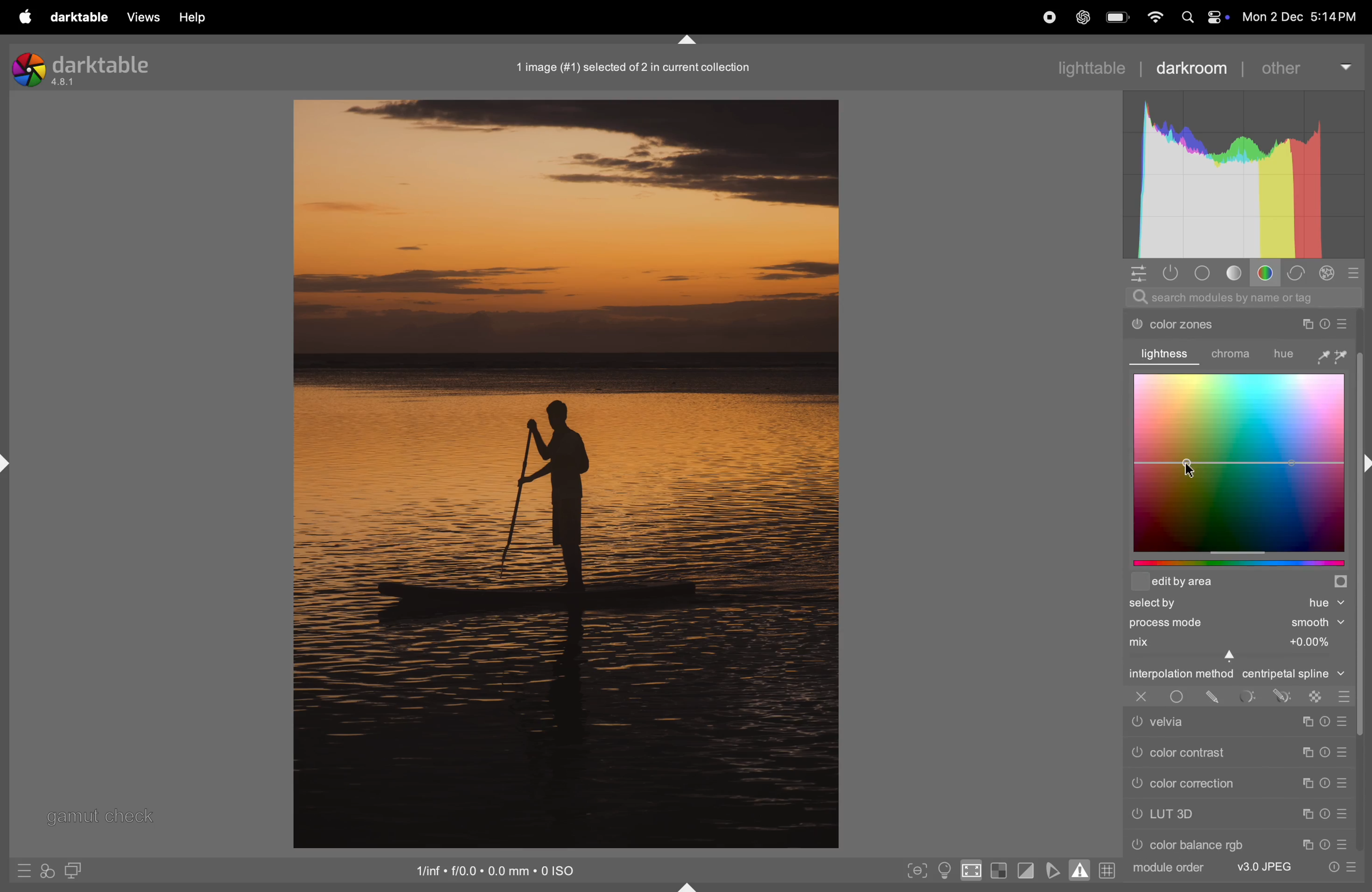  Describe the element at coordinates (1203, 324) in the screenshot. I see `color zones` at that location.